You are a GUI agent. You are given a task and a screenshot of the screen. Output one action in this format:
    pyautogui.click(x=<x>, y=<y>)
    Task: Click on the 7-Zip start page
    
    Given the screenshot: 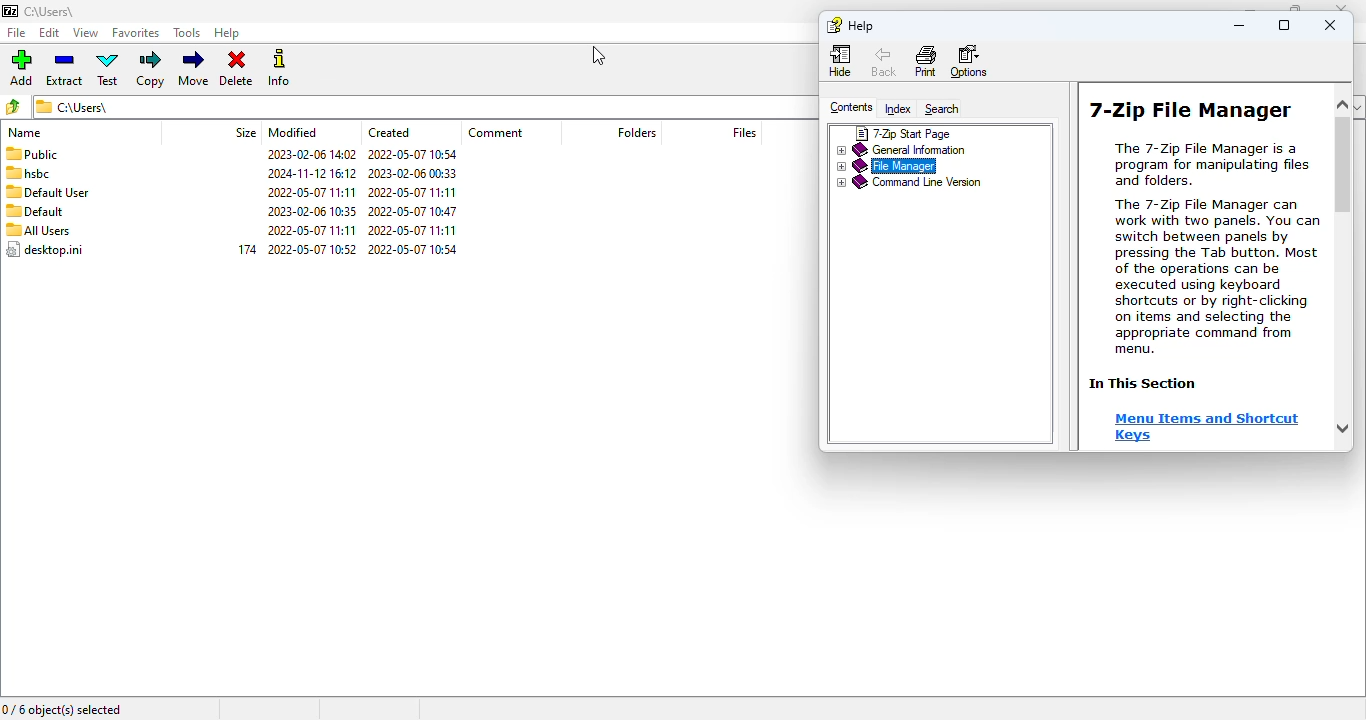 What is the action you would take?
    pyautogui.click(x=903, y=134)
    